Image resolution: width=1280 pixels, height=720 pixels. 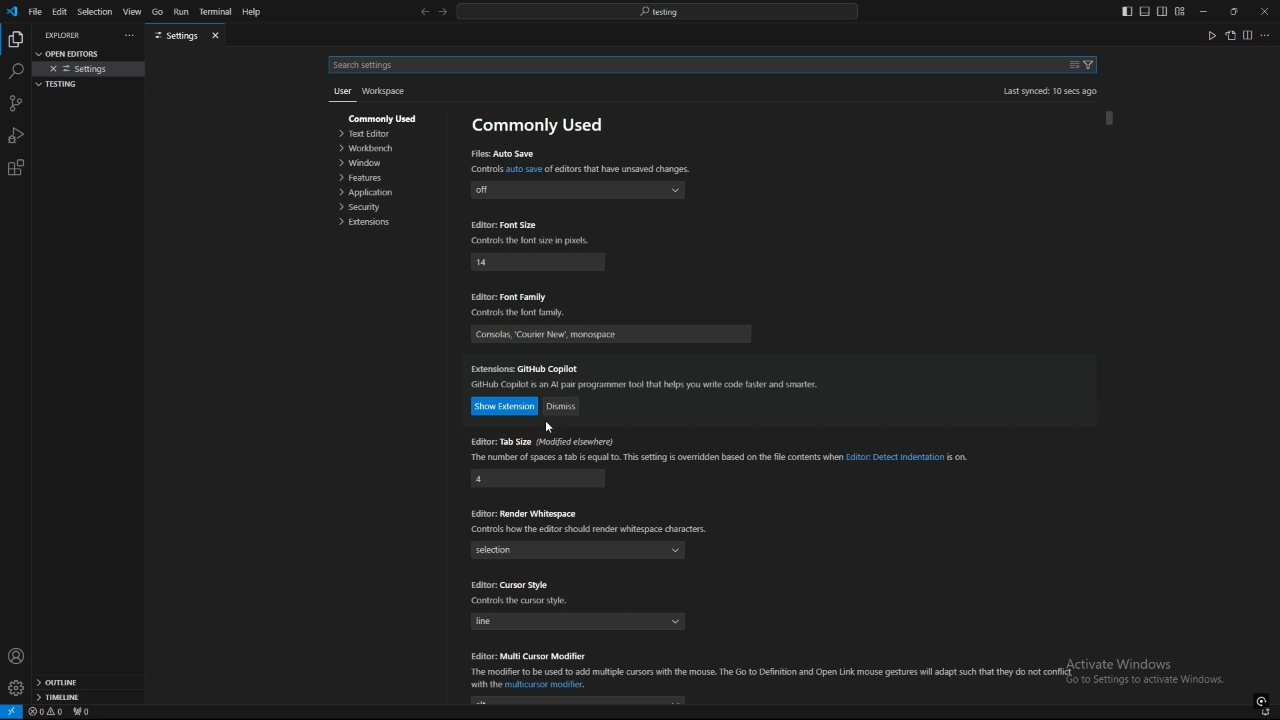 I want to click on timeline, so click(x=88, y=699).